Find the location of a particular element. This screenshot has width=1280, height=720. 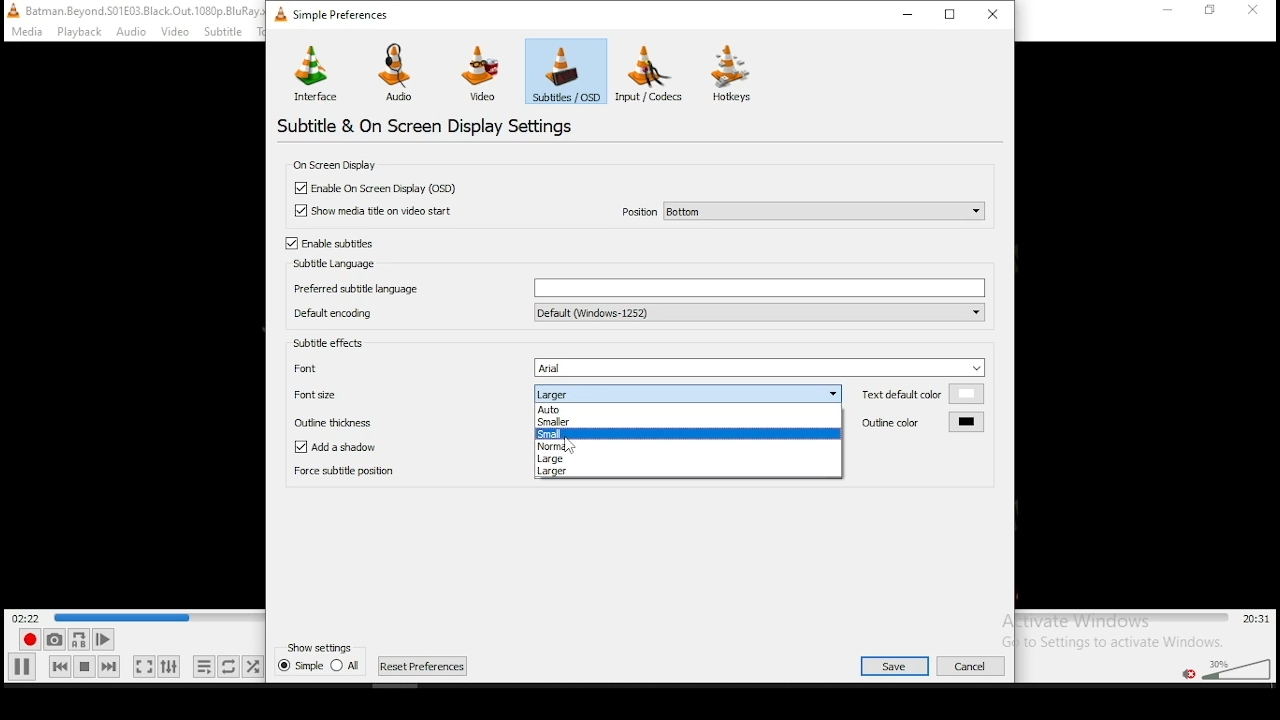

 is located at coordinates (1257, 11).